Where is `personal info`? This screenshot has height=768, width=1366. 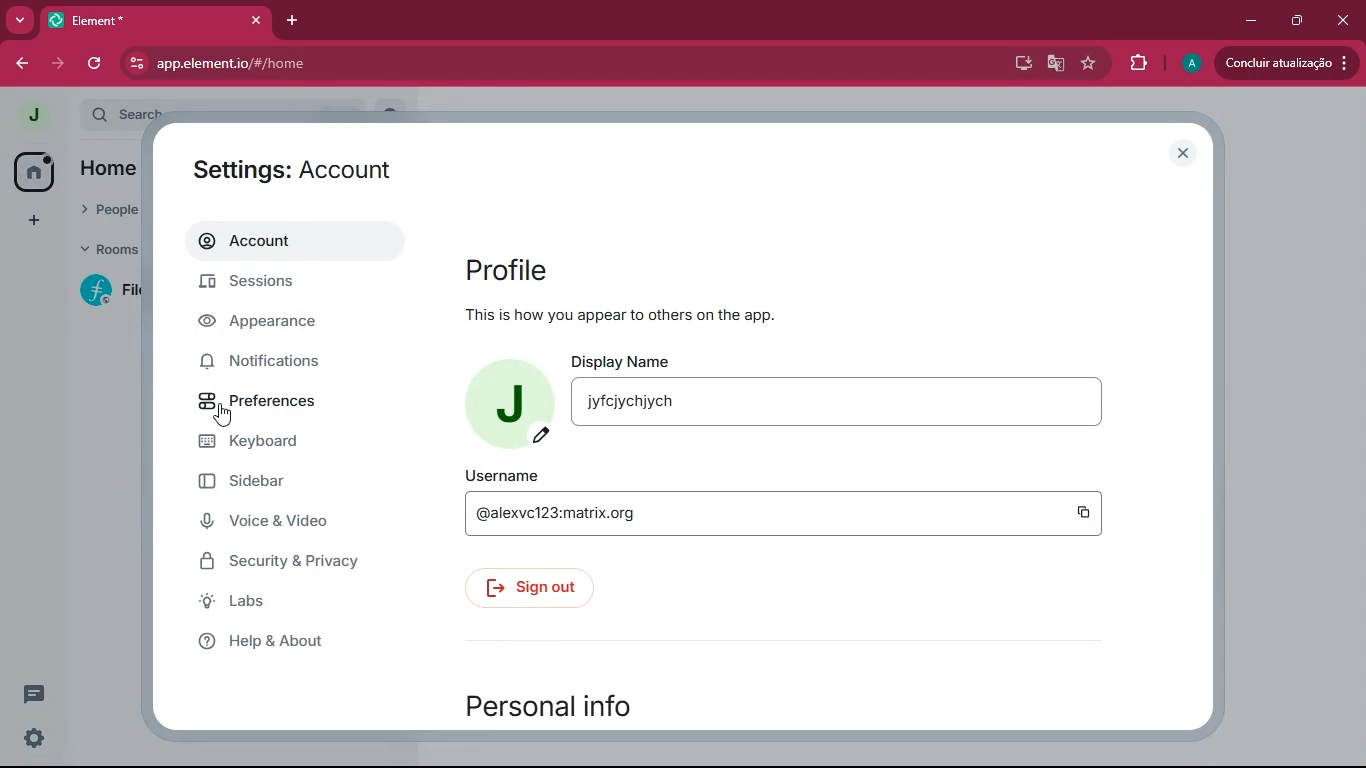 personal info is located at coordinates (572, 704).